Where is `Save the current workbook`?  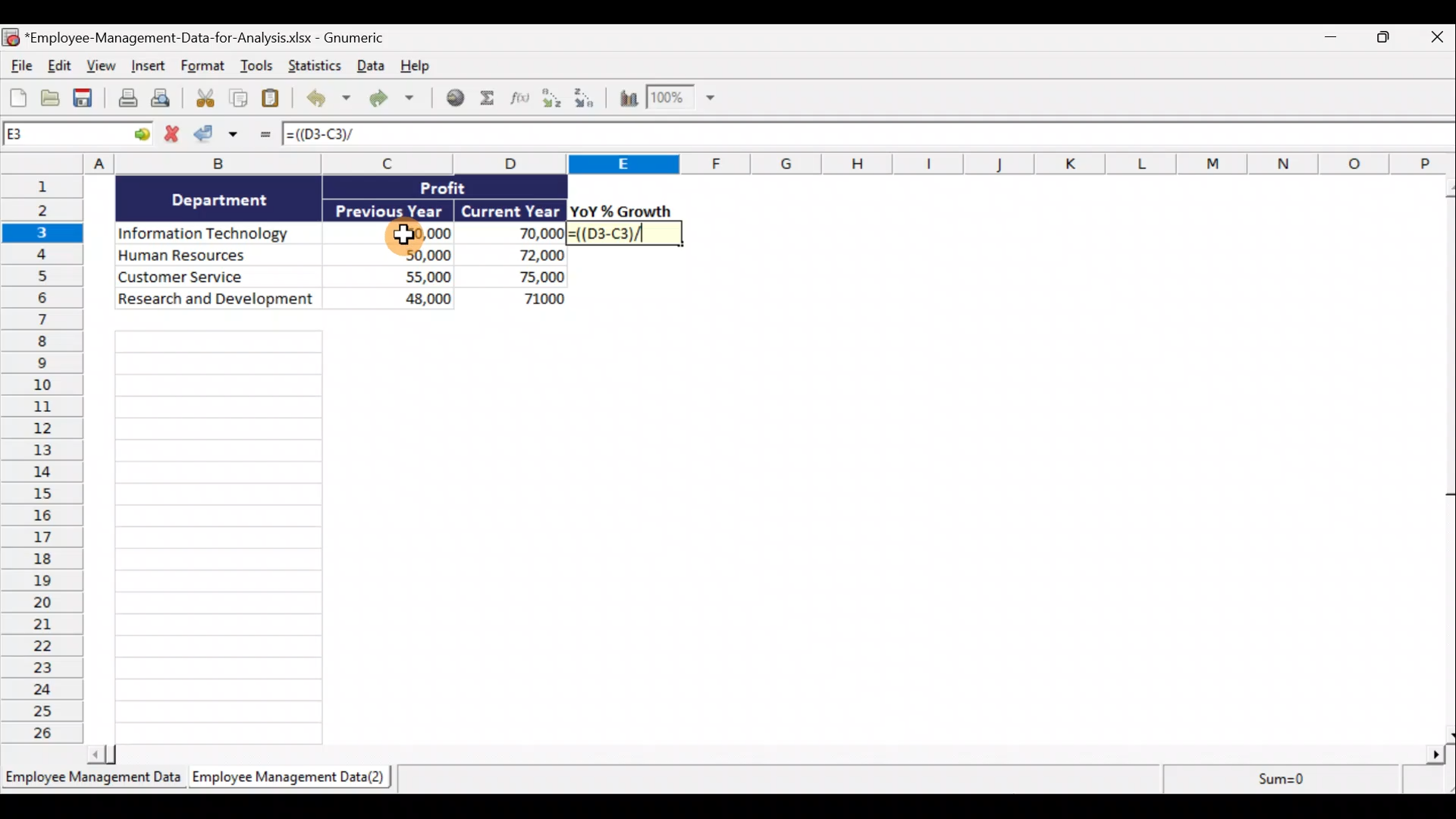
Save the current workbook is located at coordinates (86, 99).